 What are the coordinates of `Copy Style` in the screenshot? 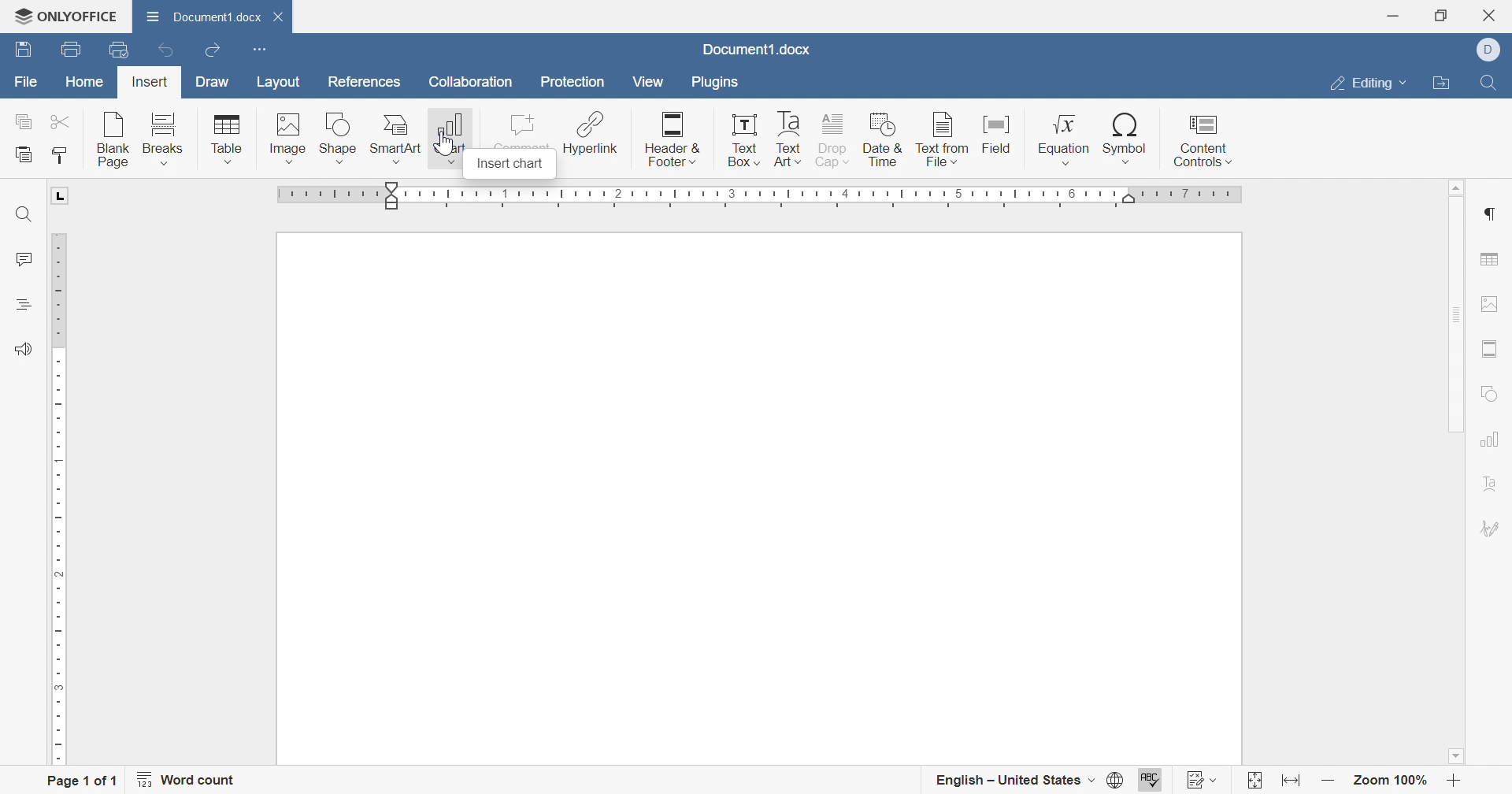 It's located at (61, 159).